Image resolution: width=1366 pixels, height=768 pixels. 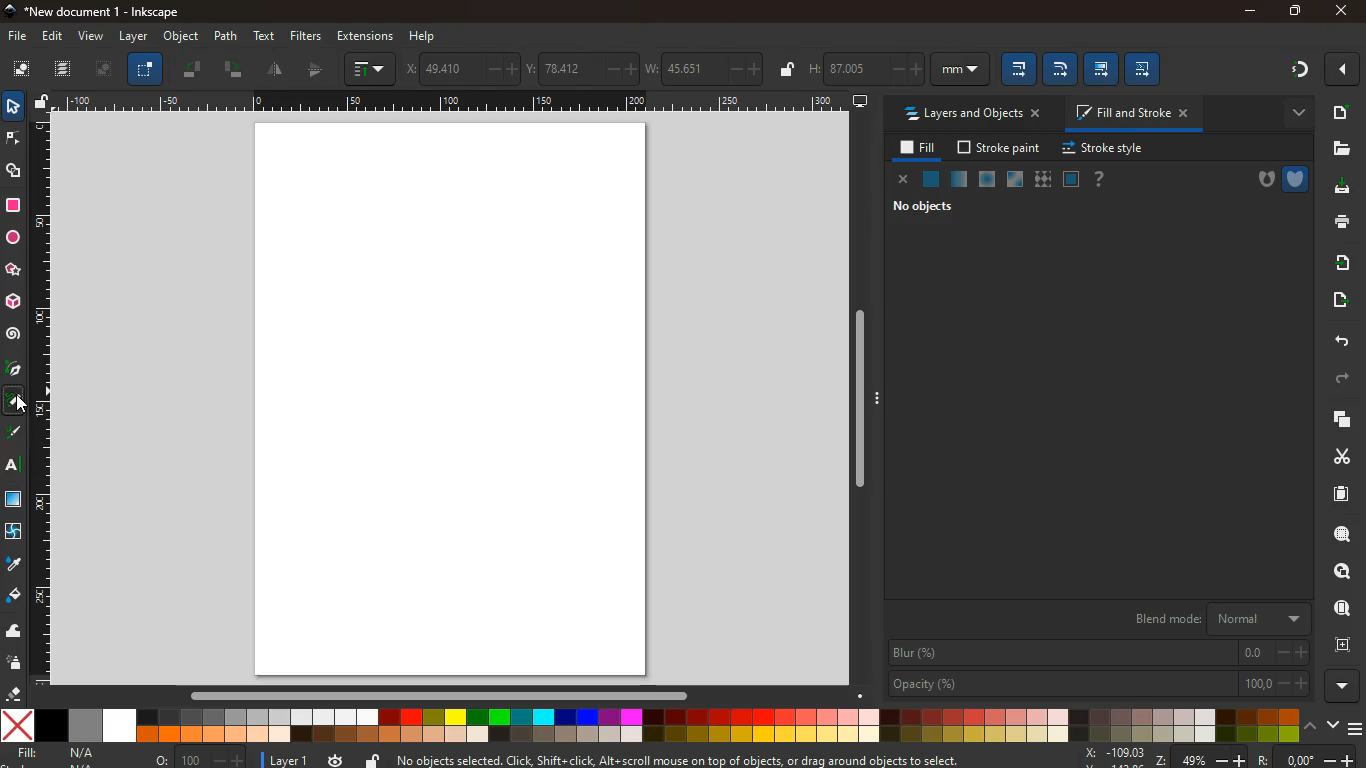 I want to click on square, so click(x=13, y=208).